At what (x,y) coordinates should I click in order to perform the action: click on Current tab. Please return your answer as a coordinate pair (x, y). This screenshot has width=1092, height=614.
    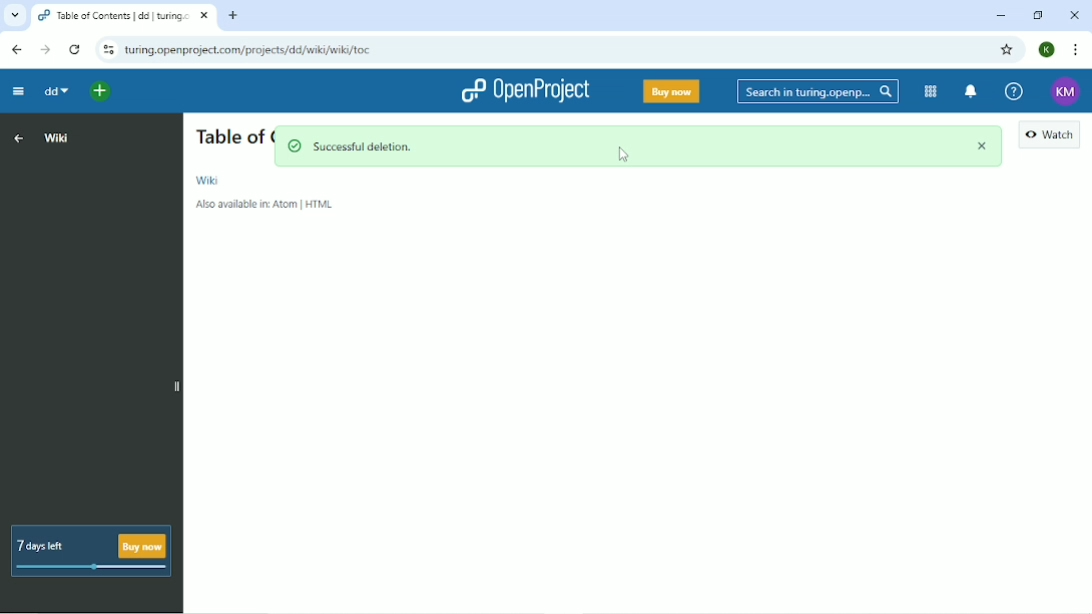
    Looking at the image, I should click on (122, 16).